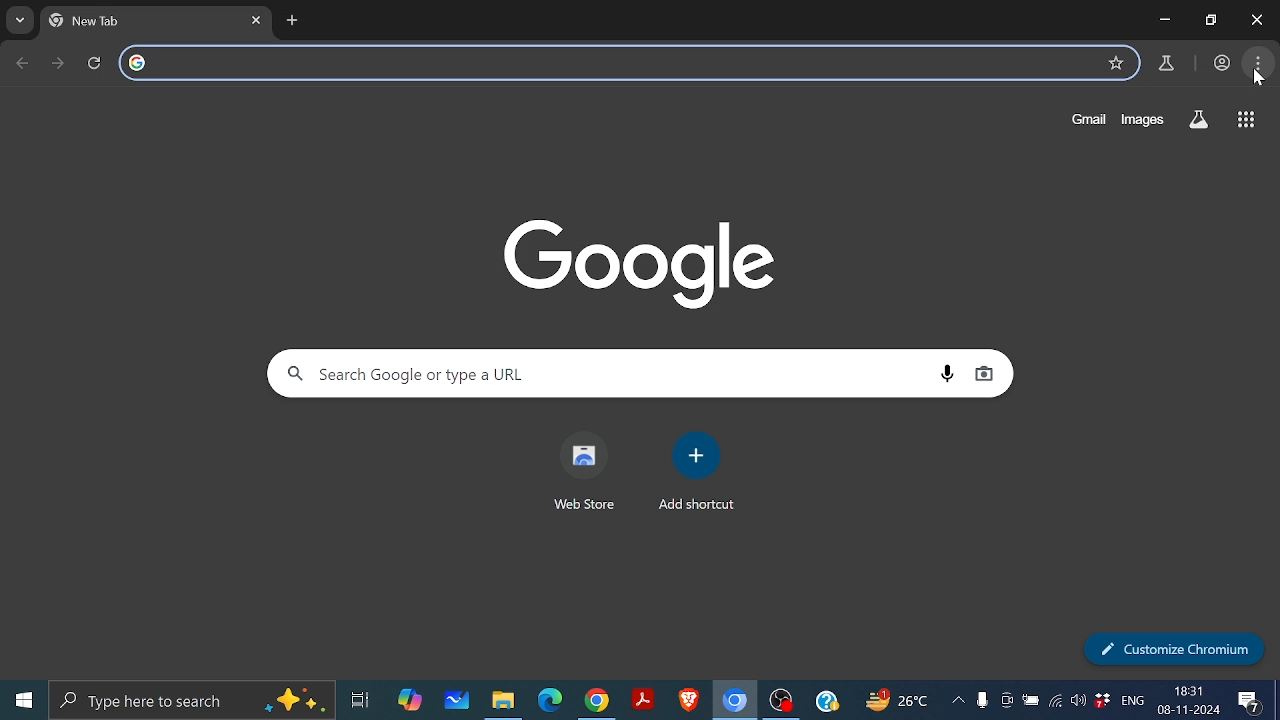 Image resolution: width=1280 pixels, height=720 pixels. What do you see at coordinates (1252, 703) in the screenshot?
I see `comment` at bounding box center [1252, 703].